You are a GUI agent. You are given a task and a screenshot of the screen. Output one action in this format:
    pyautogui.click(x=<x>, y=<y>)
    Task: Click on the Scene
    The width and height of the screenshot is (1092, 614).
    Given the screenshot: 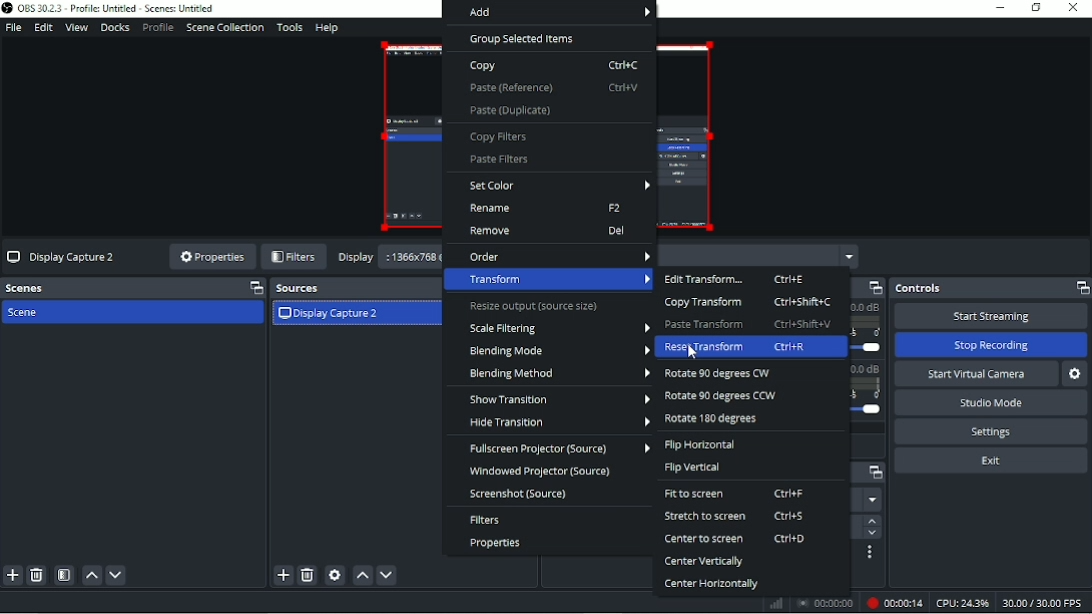 What is the action you would take?
    pyautogui.click(x=27, y=313)
    